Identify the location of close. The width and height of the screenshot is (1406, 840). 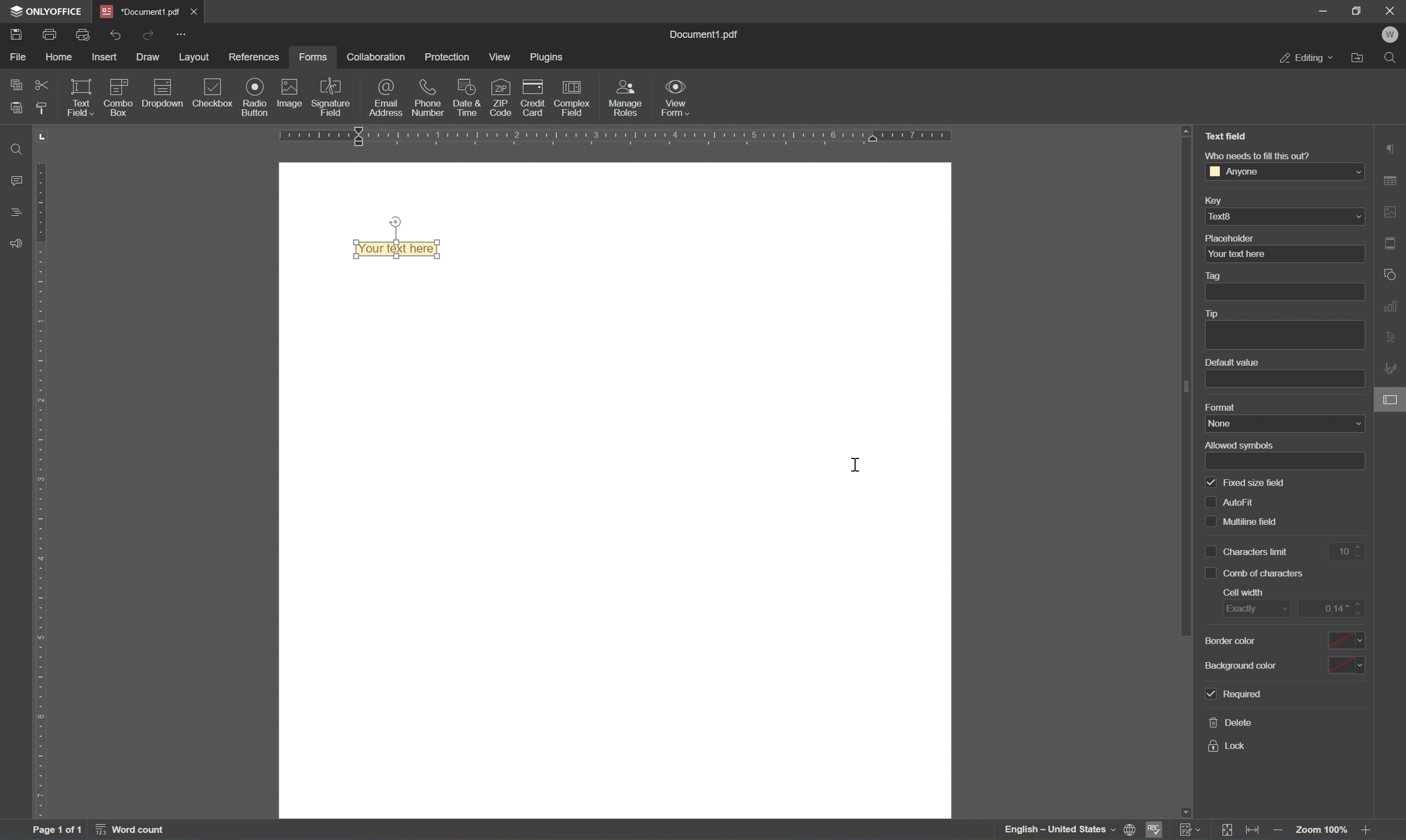
(195, 13).